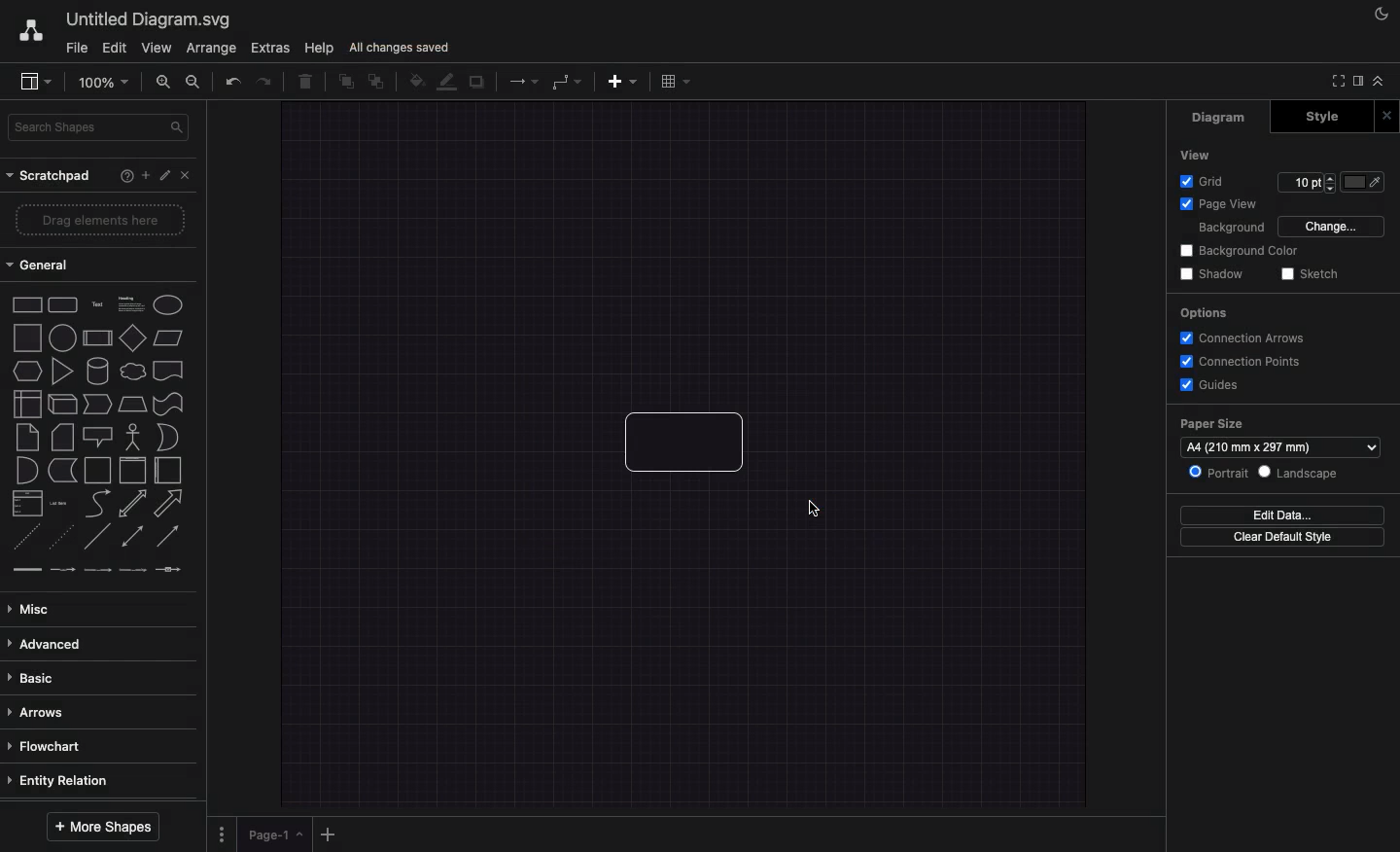  What do you see at coordinates (211, 50) in the screenshot?
I see `Arrange` at bounding box center [211, 50].